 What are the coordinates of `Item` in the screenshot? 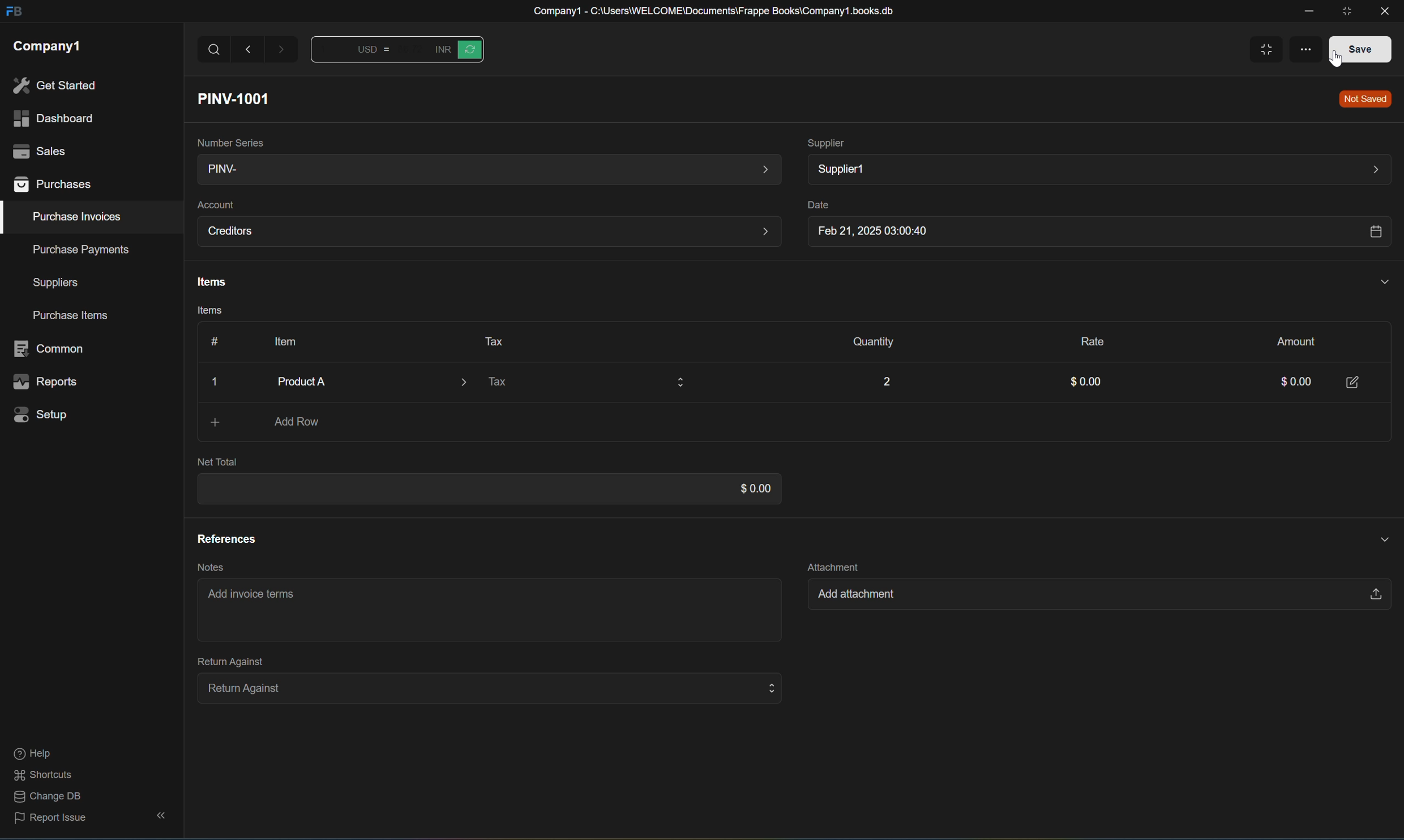 It's located at (280, 341).